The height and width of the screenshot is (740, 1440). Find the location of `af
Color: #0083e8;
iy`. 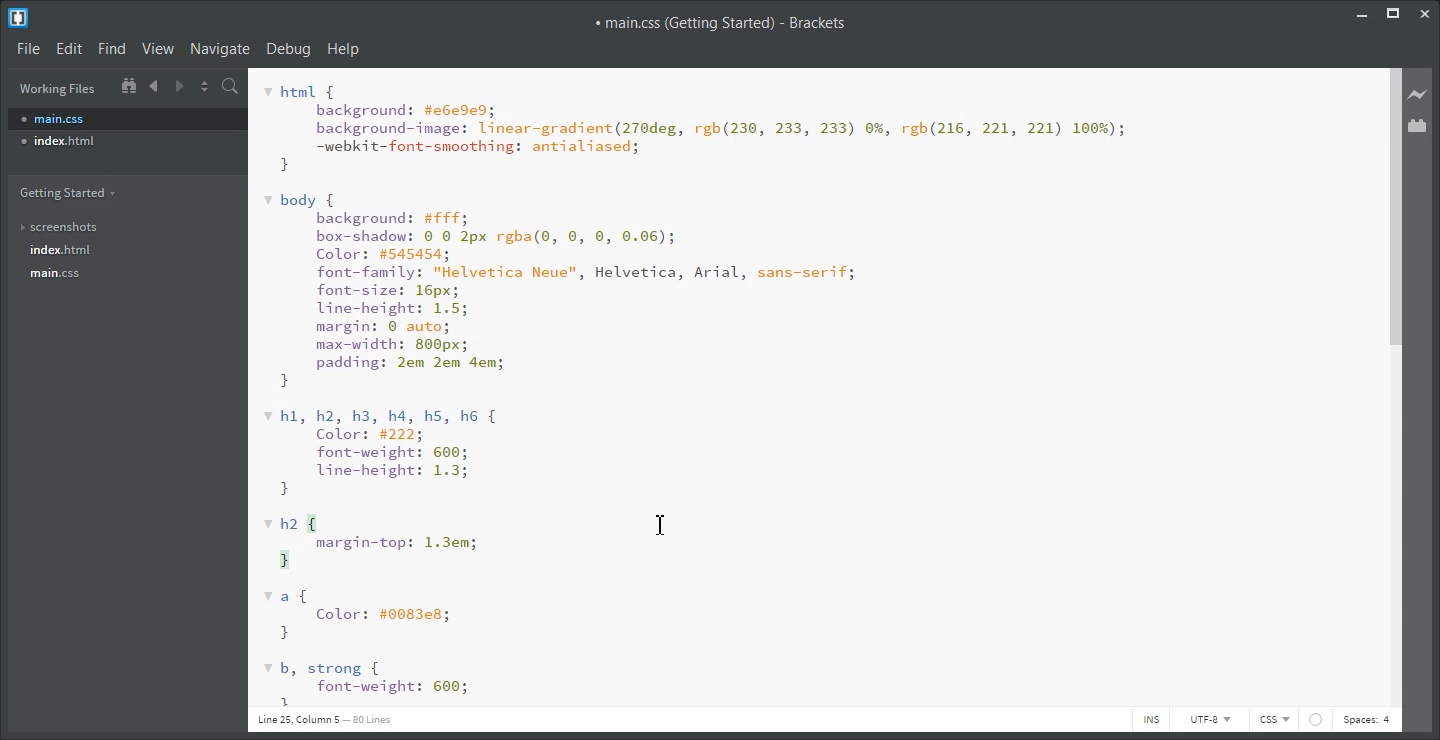

af
Color: #0083e8;
iy is located at coordinates (359, 617).